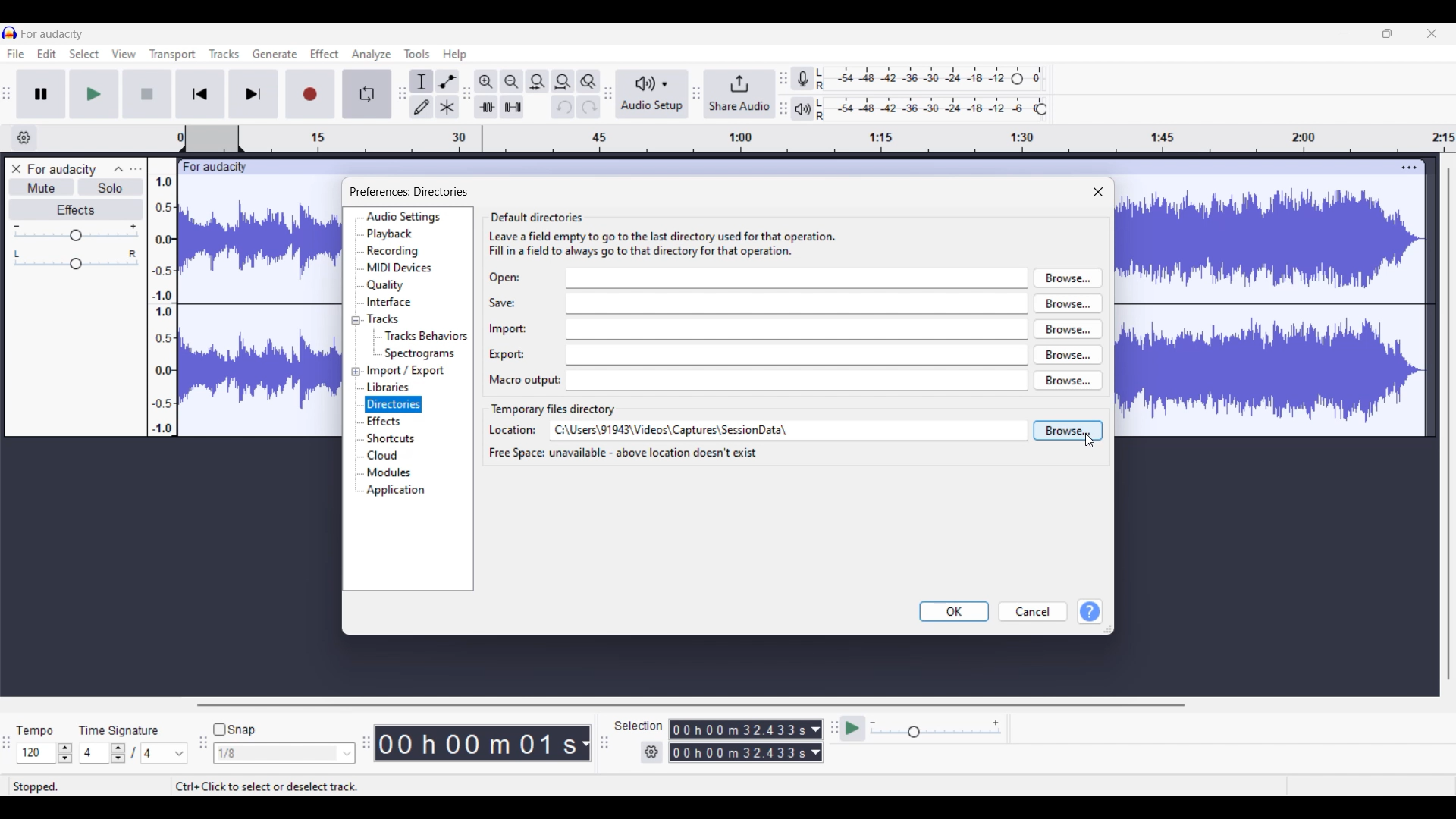 This screenshot has height=819, width=1456. I want to click on Indicates text box for import, so click(508, 328).